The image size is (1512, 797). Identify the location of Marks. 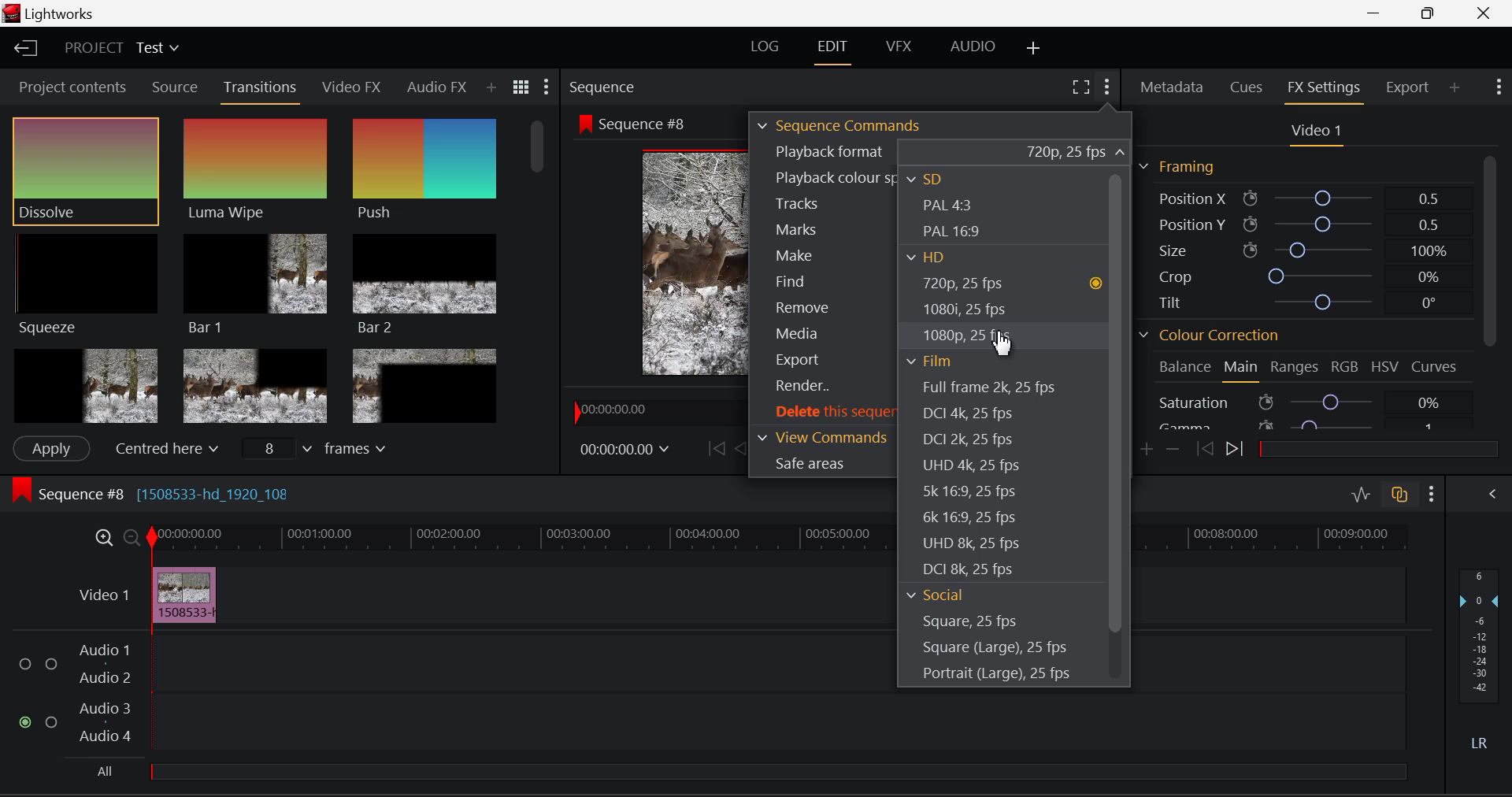
(819, 229).